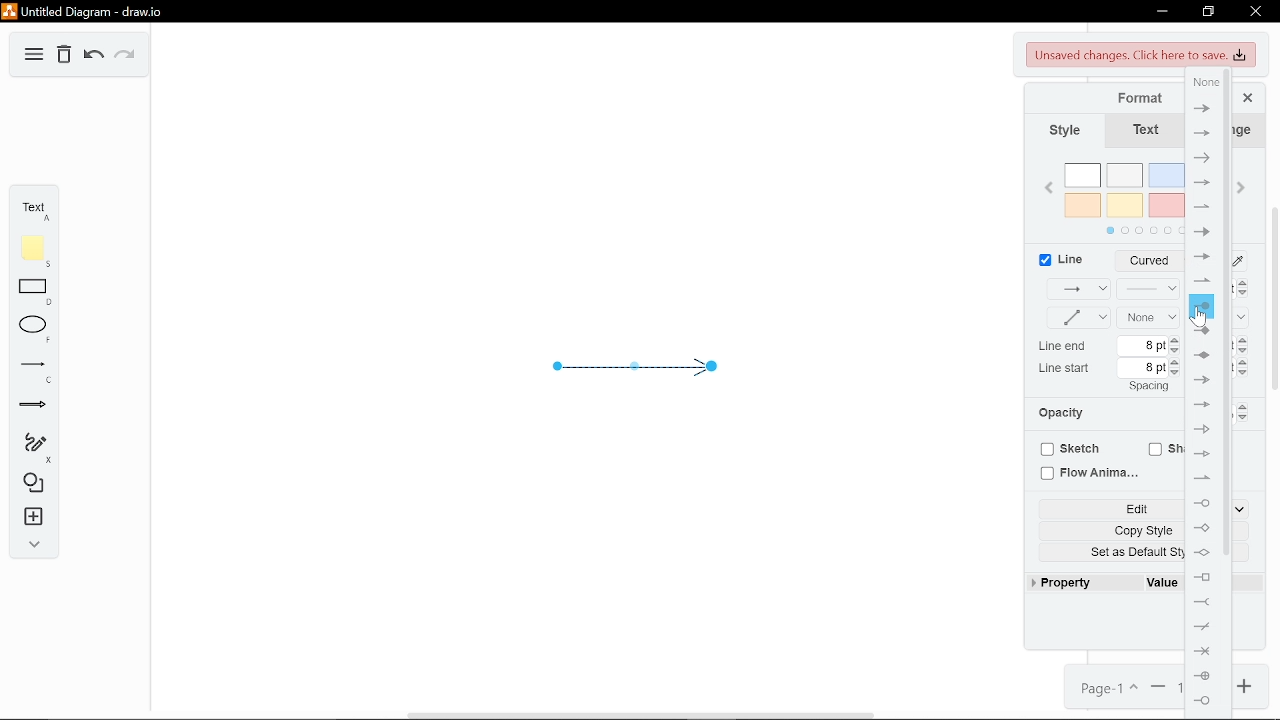  I want to click on Pattern, so click(1148, 290).